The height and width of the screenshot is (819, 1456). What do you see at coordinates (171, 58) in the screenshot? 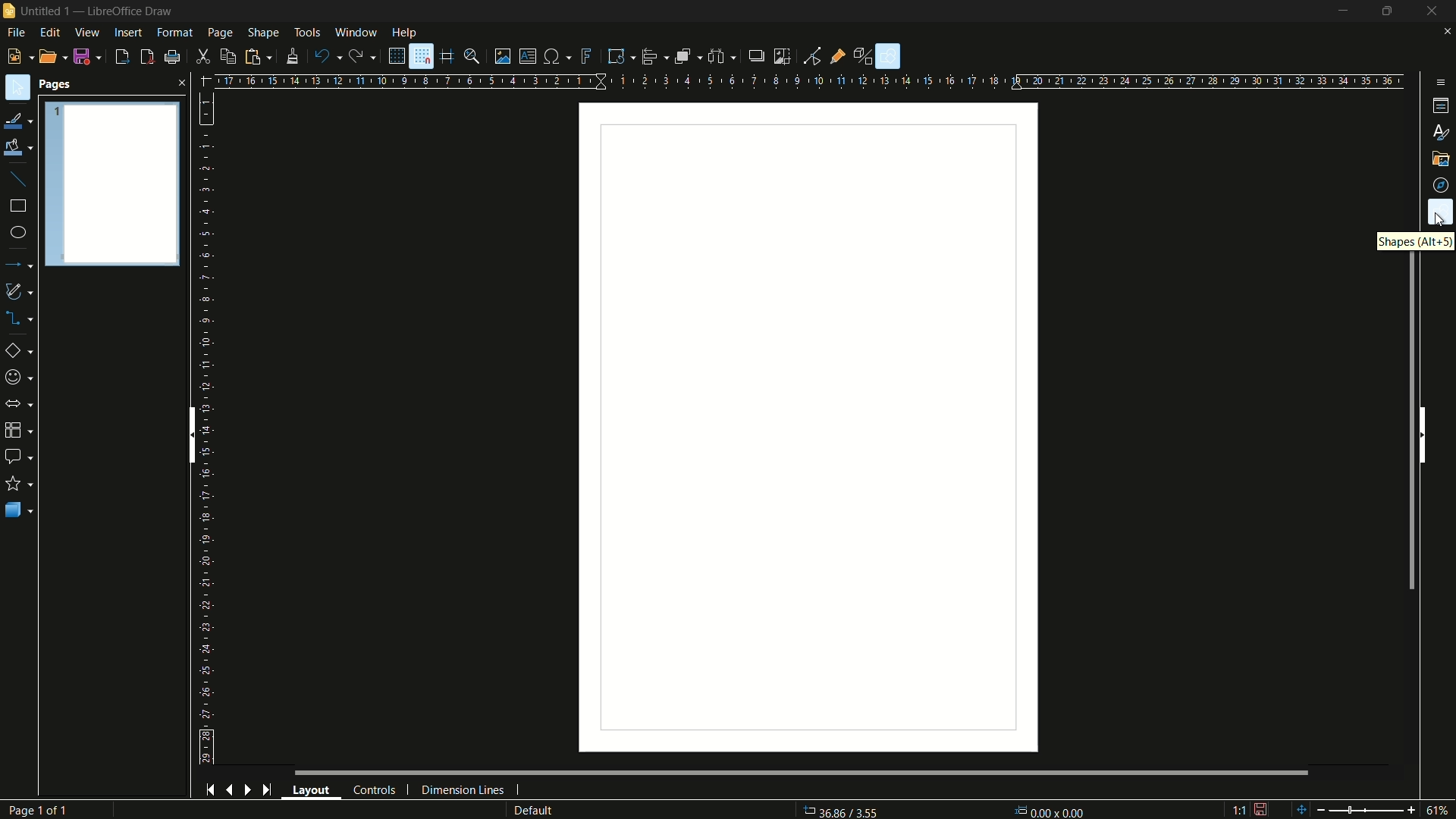
I see `print` at bounding box center [171, 58].